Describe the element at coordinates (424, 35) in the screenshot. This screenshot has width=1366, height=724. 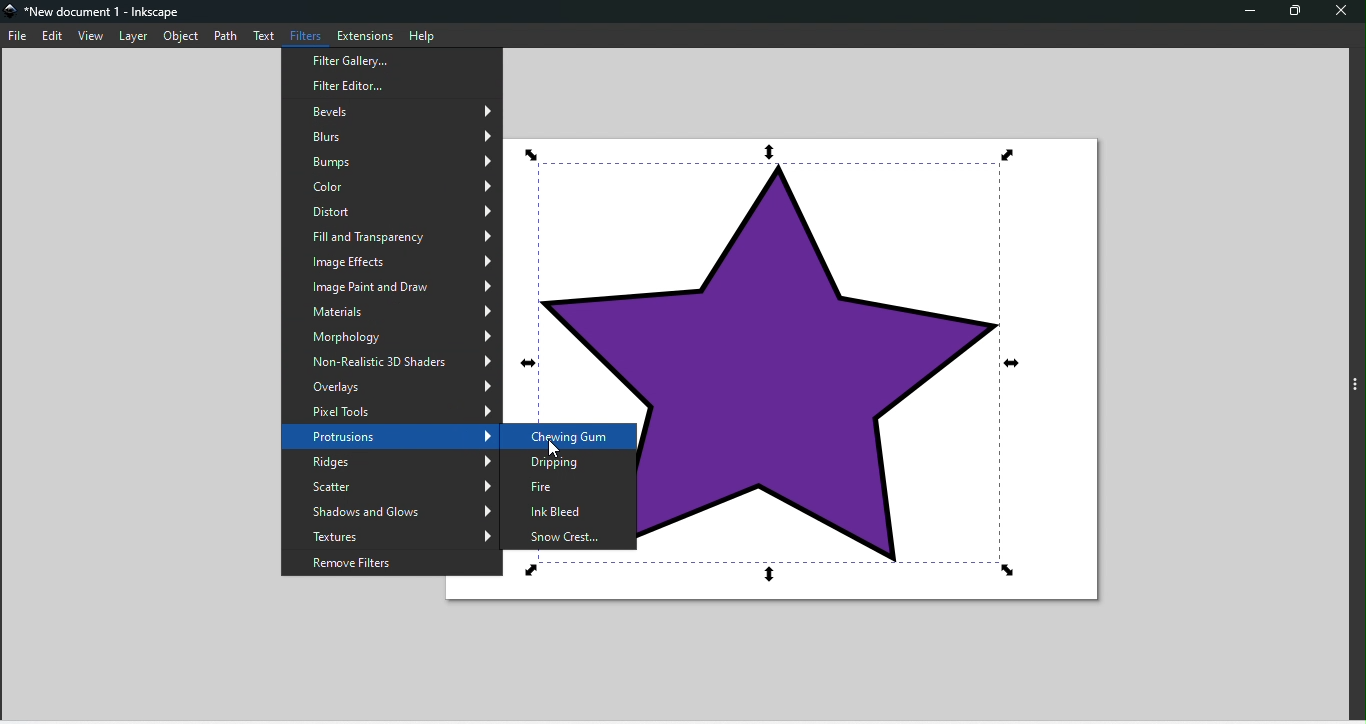
I see `Help` at that location.